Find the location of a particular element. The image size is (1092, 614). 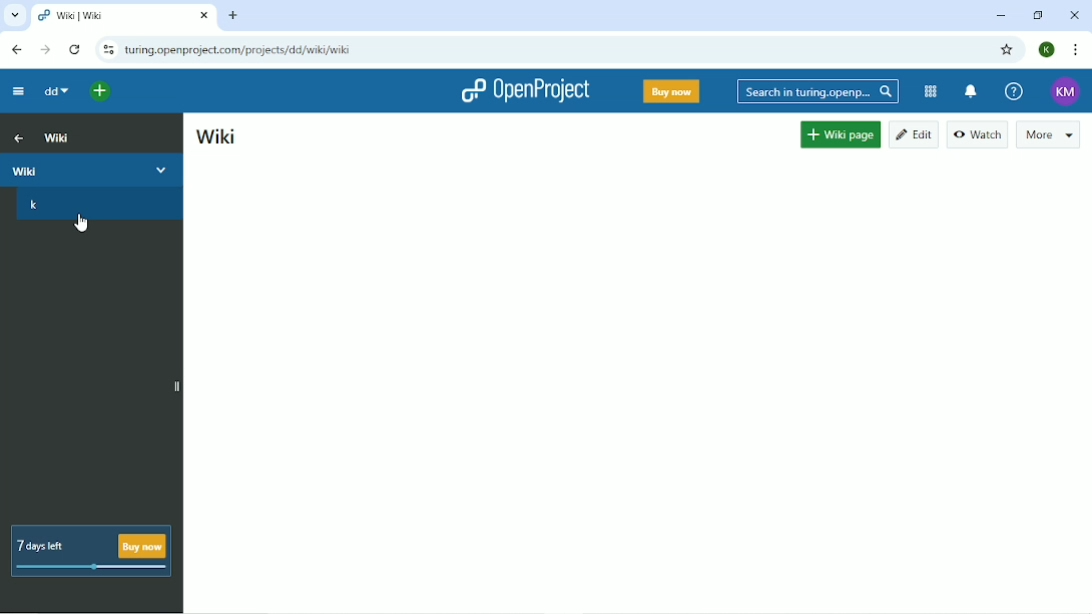

Wiki is located at coordinates (92, 168).